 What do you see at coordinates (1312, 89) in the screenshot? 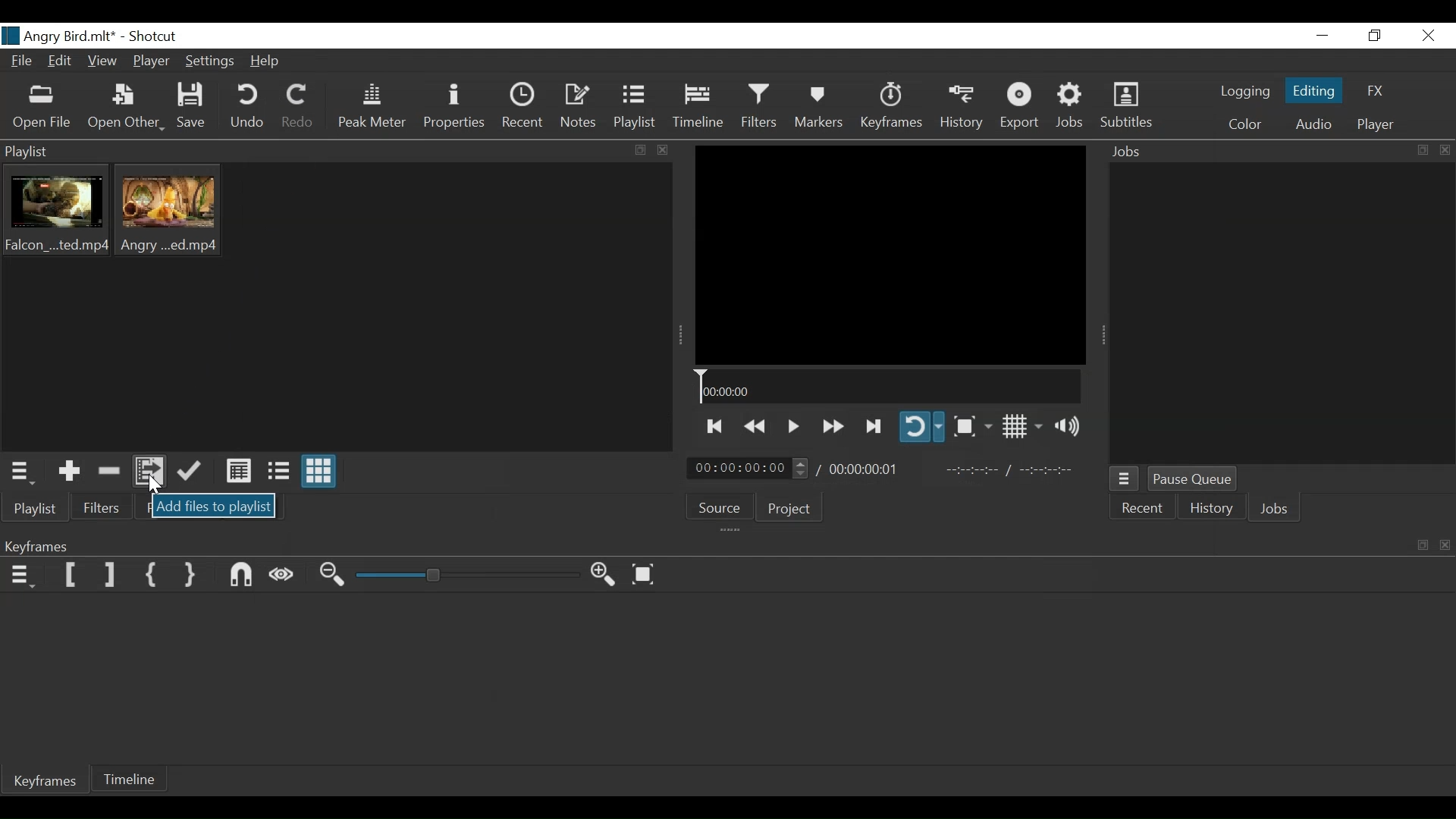
I see `Editing` at bounding box center [1312, 89].